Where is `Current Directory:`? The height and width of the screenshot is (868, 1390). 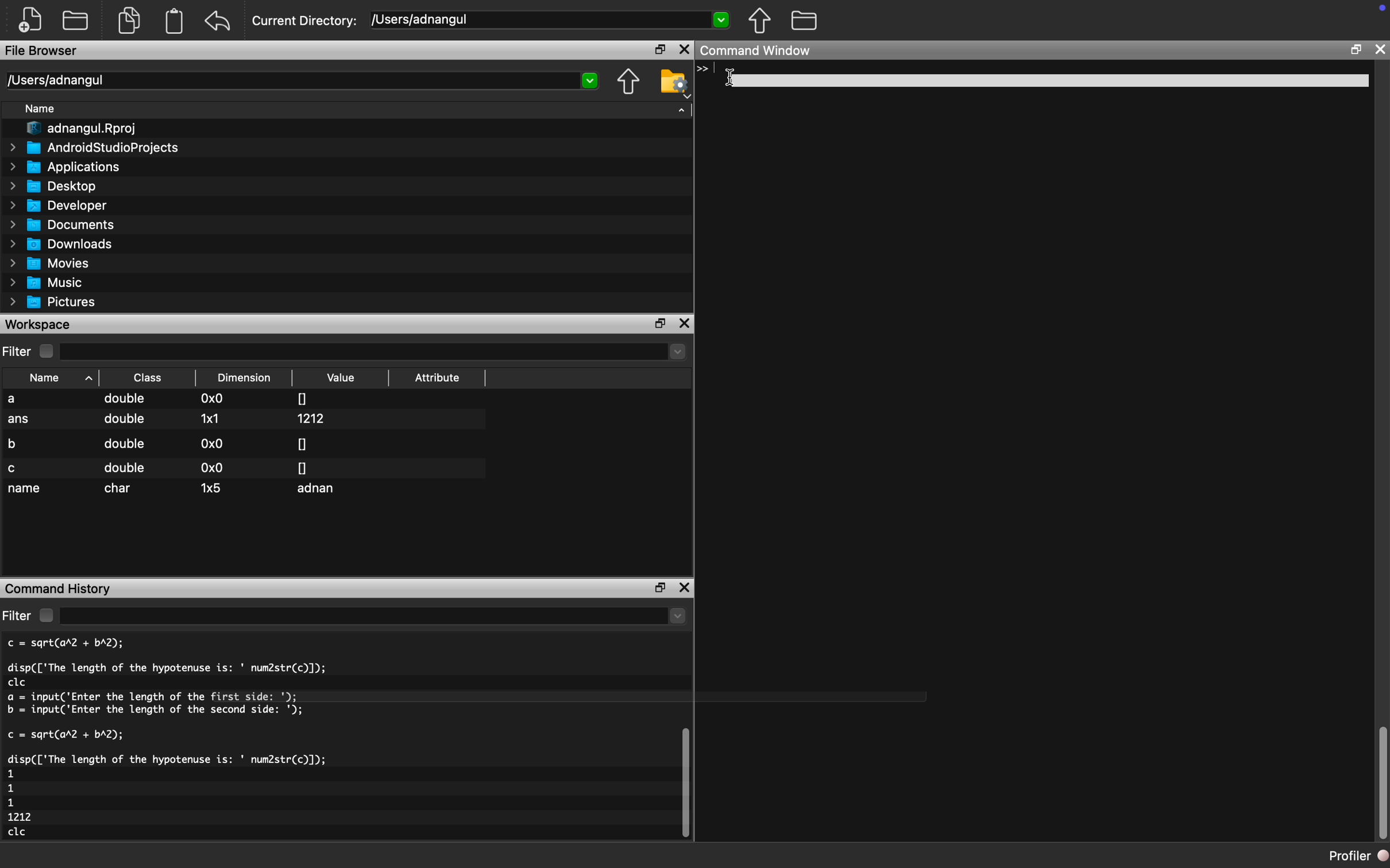
Current Directory: is located at coordinates (306, 22).